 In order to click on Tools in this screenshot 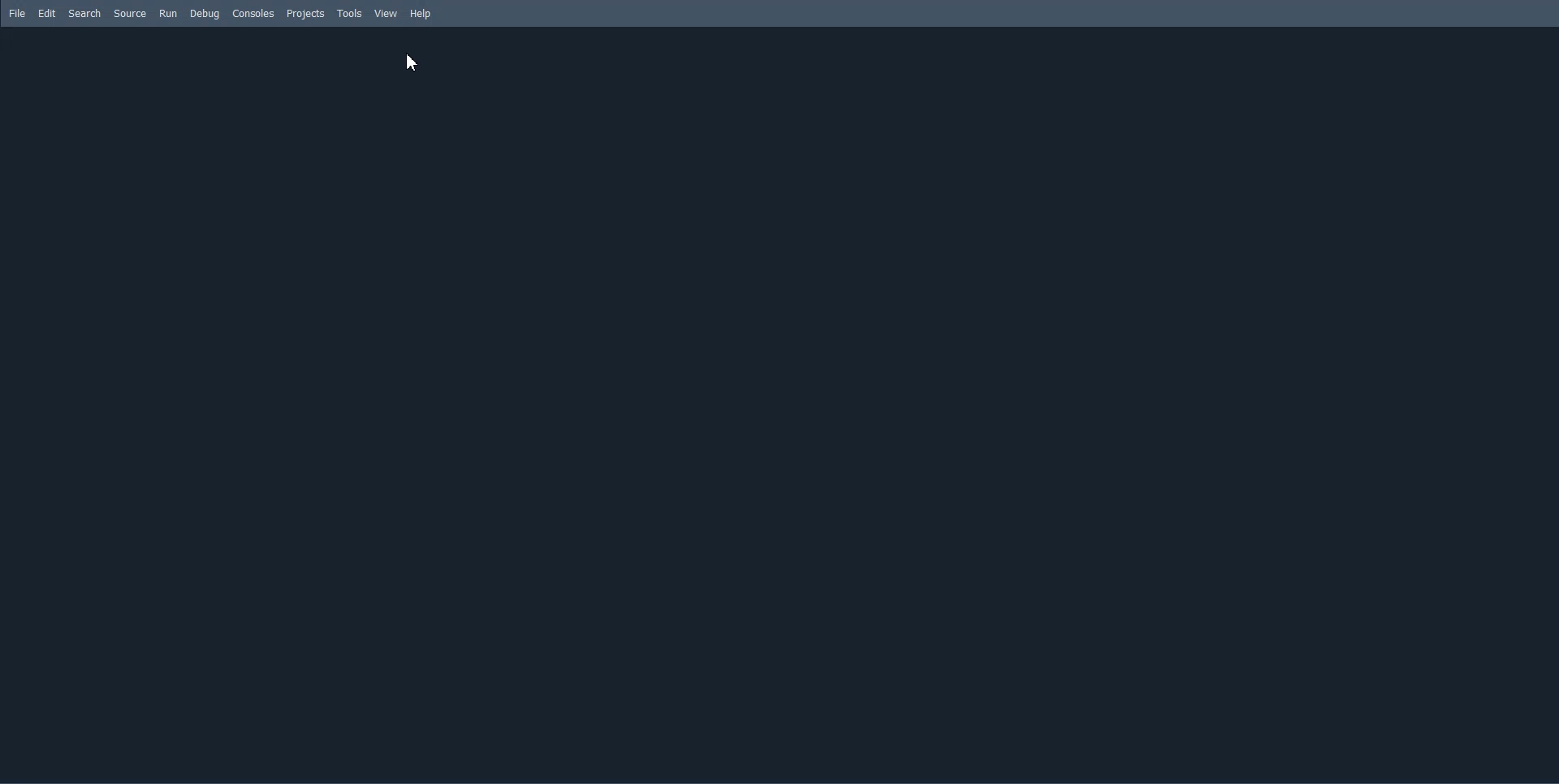, I will do `click(349, 14)`.